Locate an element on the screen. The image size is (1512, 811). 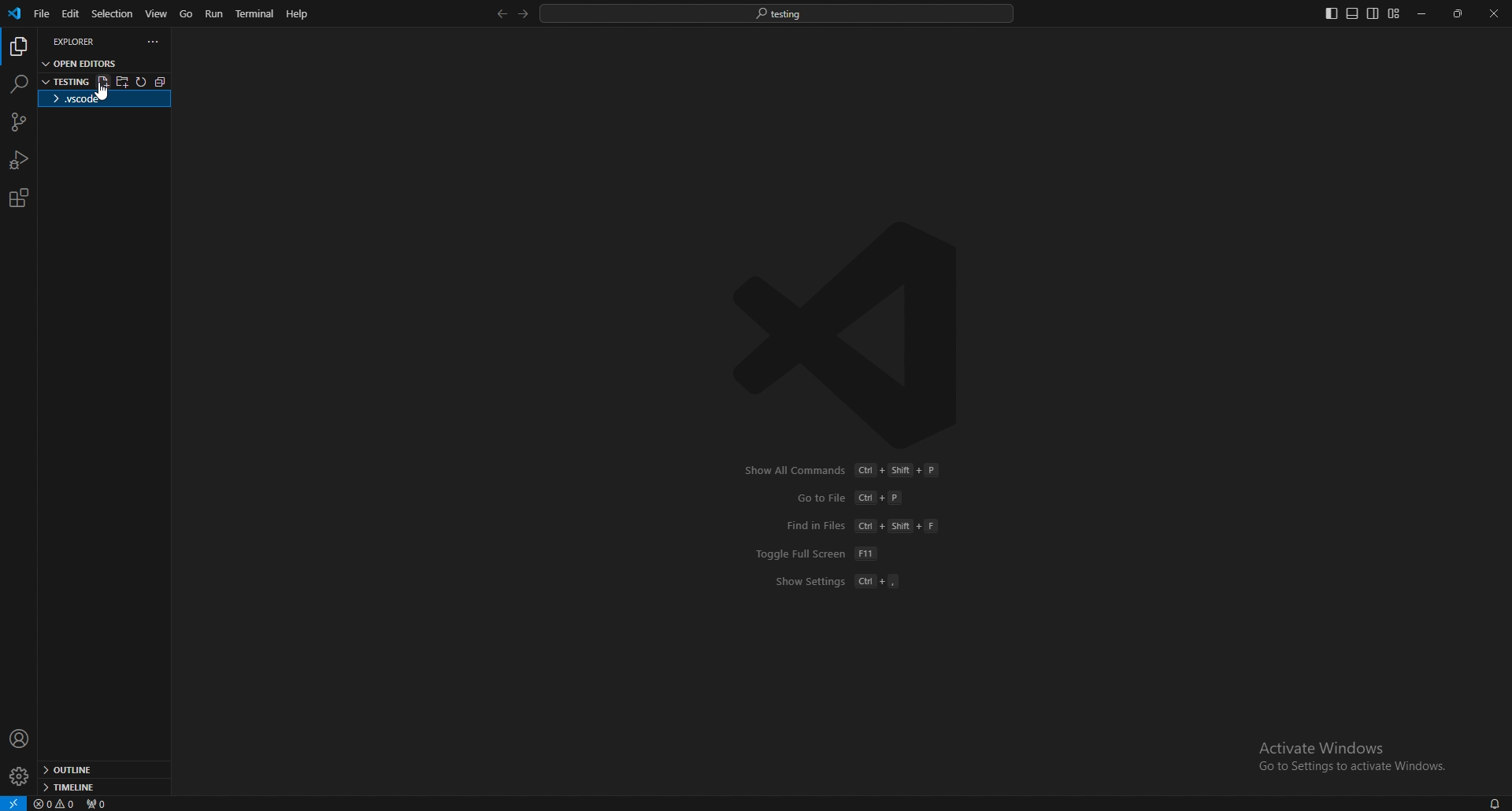
vscode is located at coordinates (16, 13).